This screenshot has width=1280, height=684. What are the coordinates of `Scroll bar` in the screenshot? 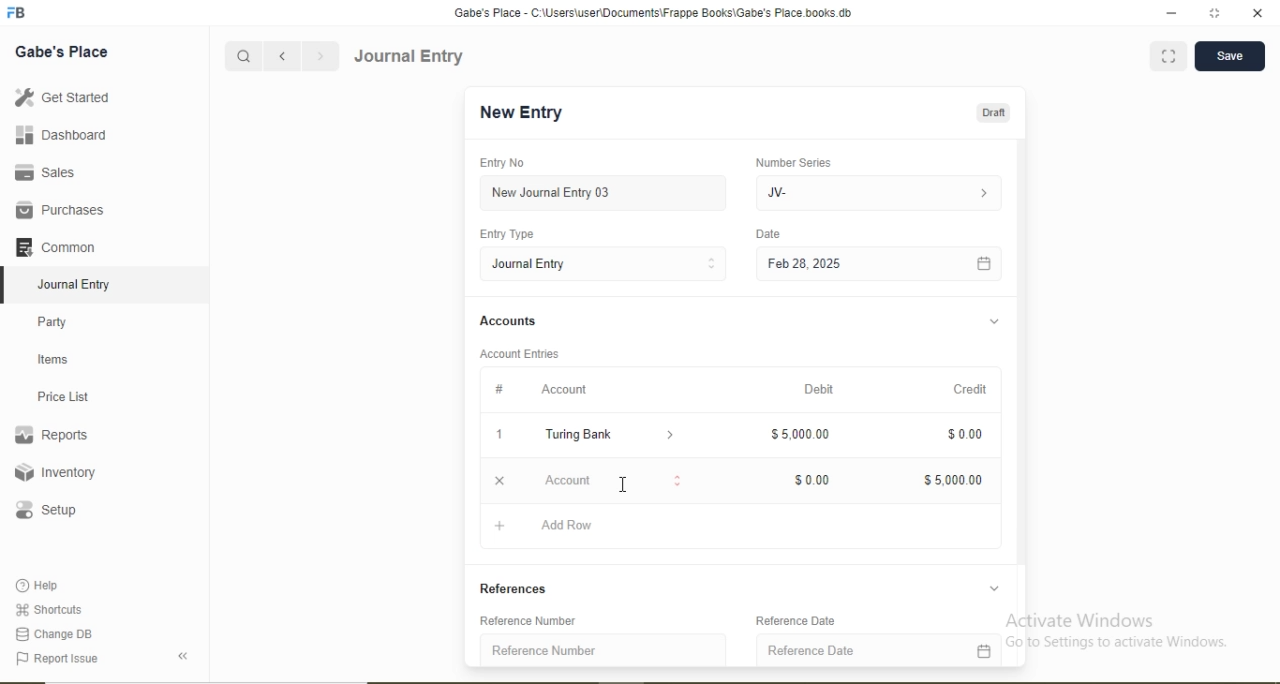 It's located at (1021, 386).